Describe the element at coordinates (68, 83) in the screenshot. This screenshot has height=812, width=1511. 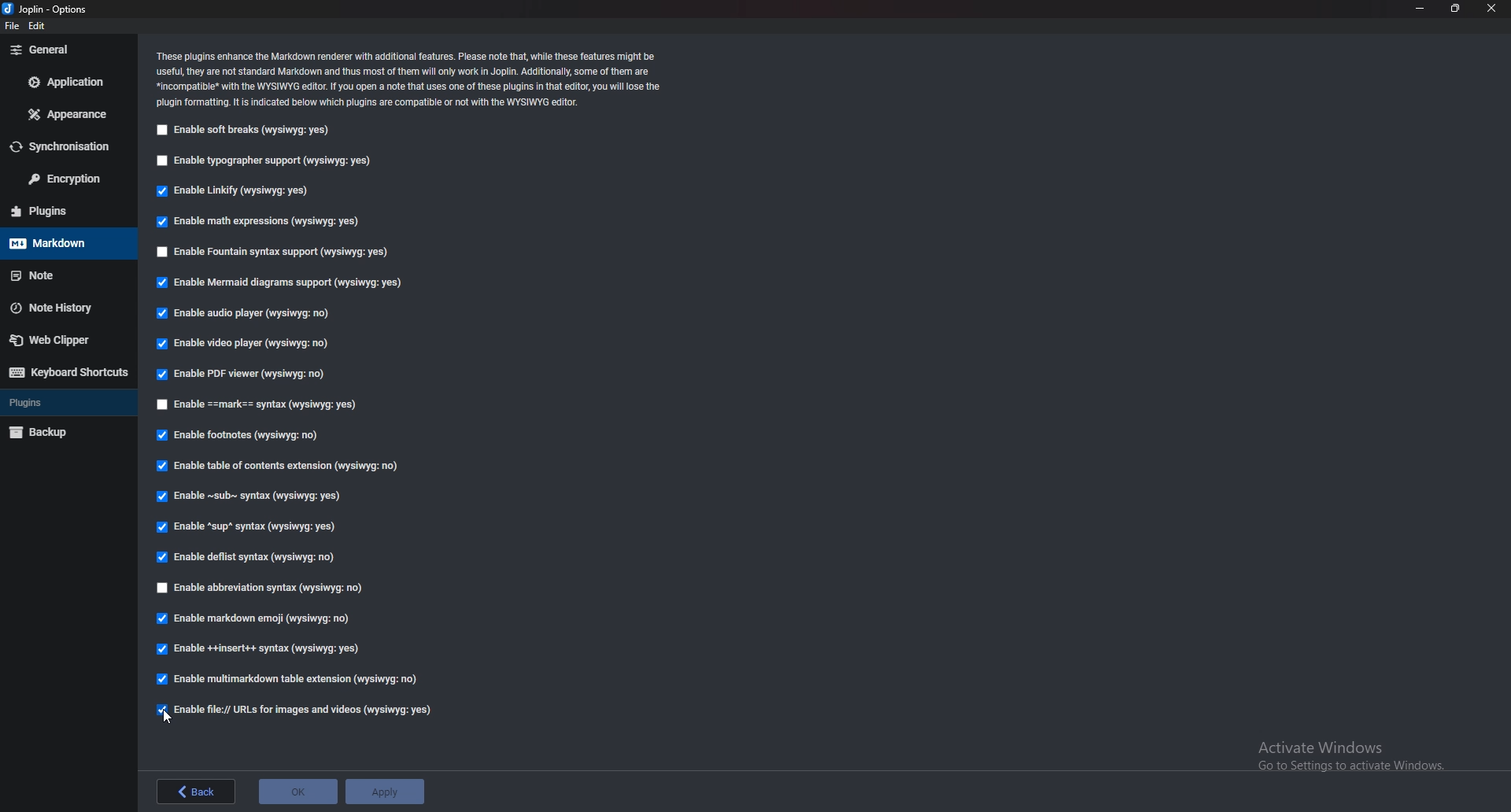
I see `Application` at that location.